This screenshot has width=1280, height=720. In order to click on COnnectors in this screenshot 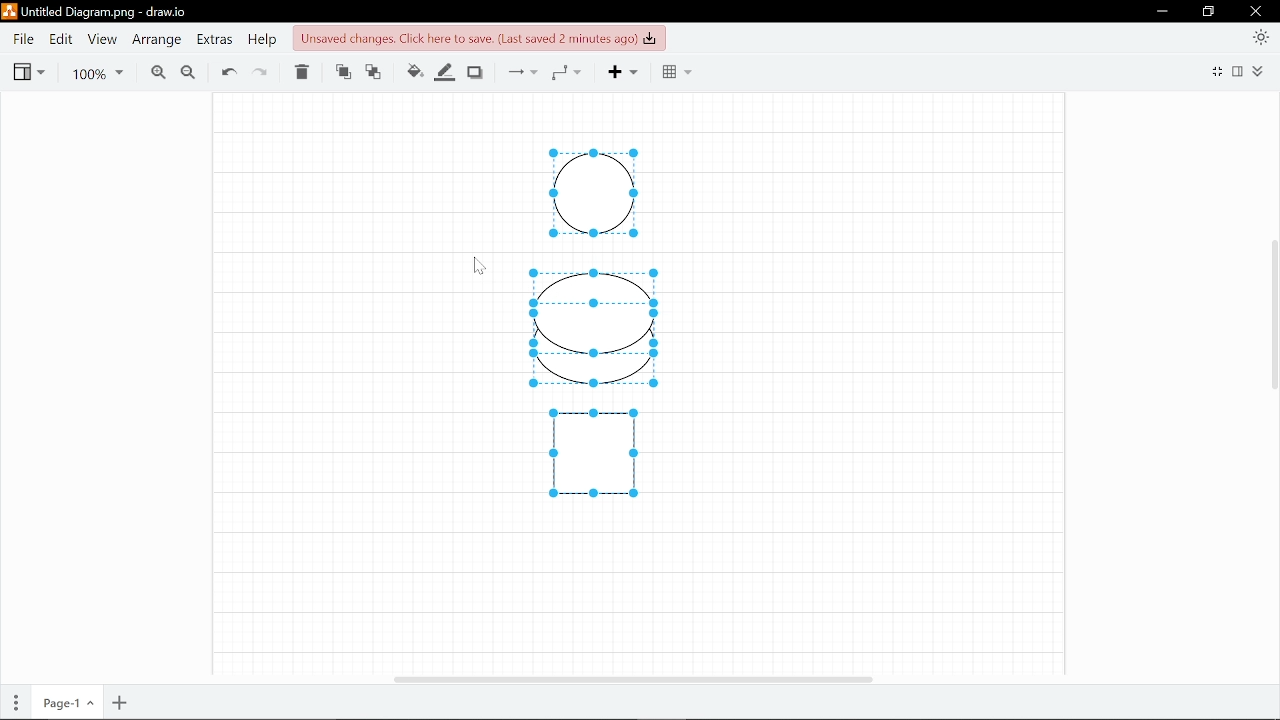, I will do `click(520, 71)`.